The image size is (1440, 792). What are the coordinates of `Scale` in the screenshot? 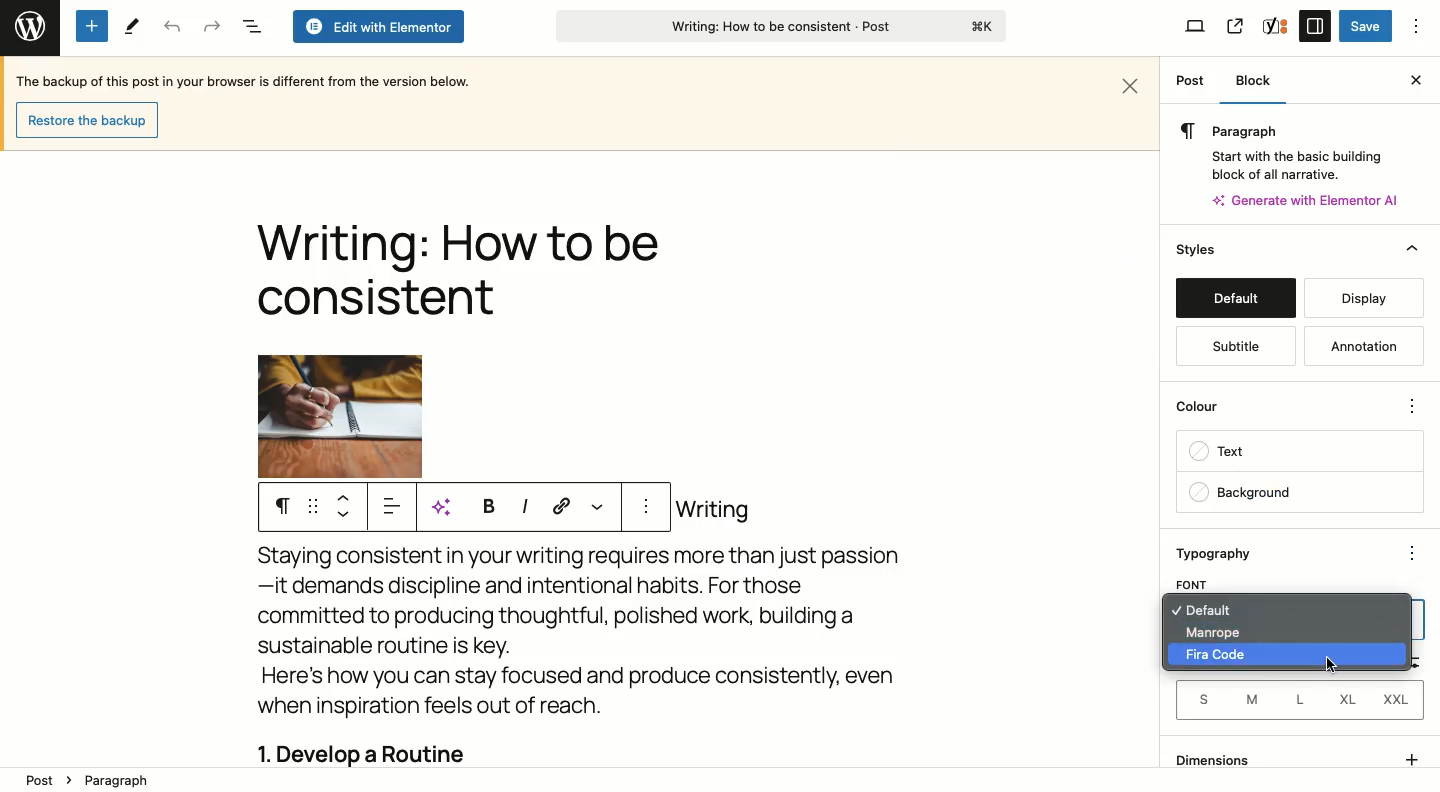 It's located at (1412, 583).